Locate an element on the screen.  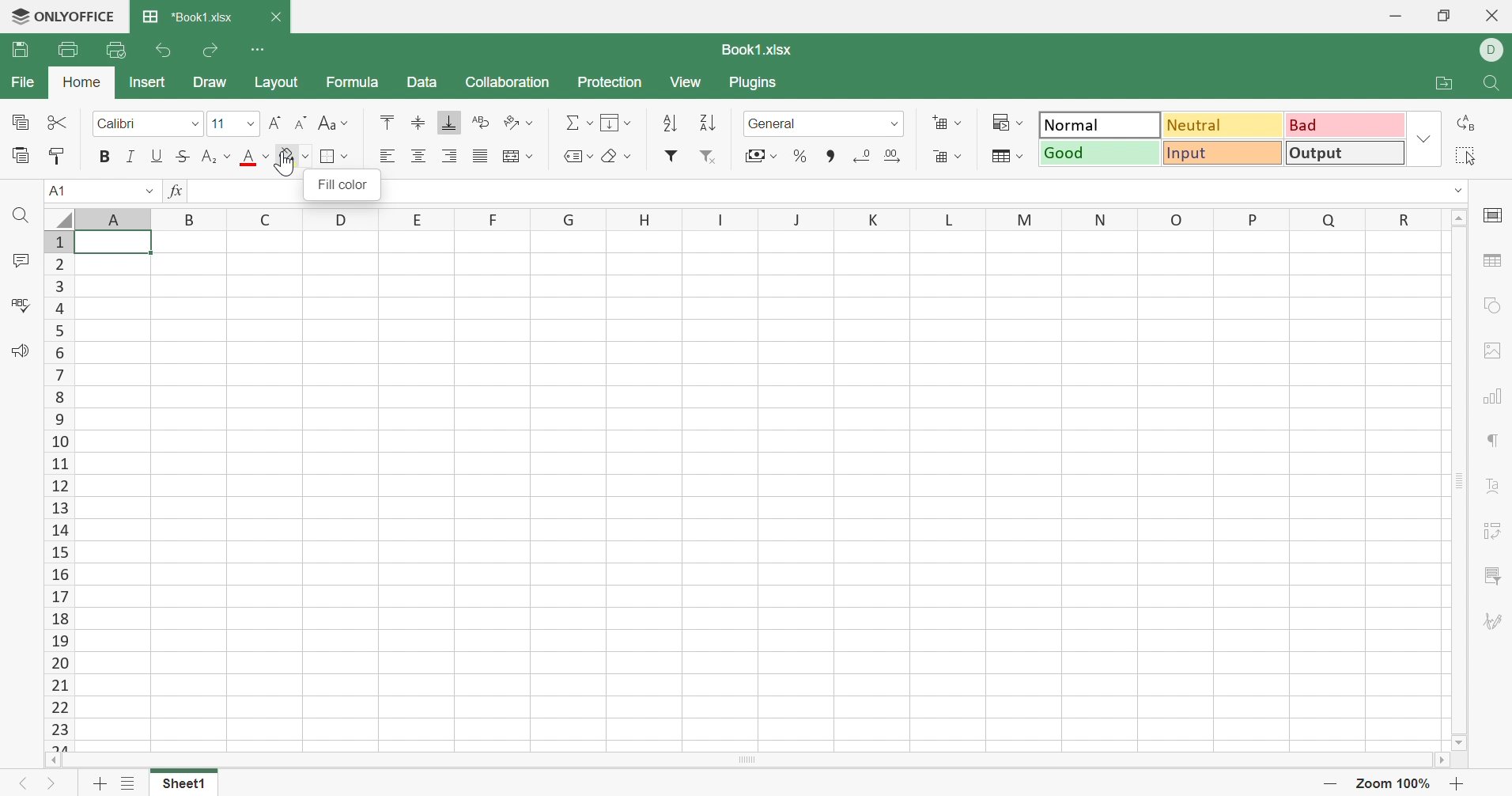
Signature settings is located at coordinates (1493, 623).